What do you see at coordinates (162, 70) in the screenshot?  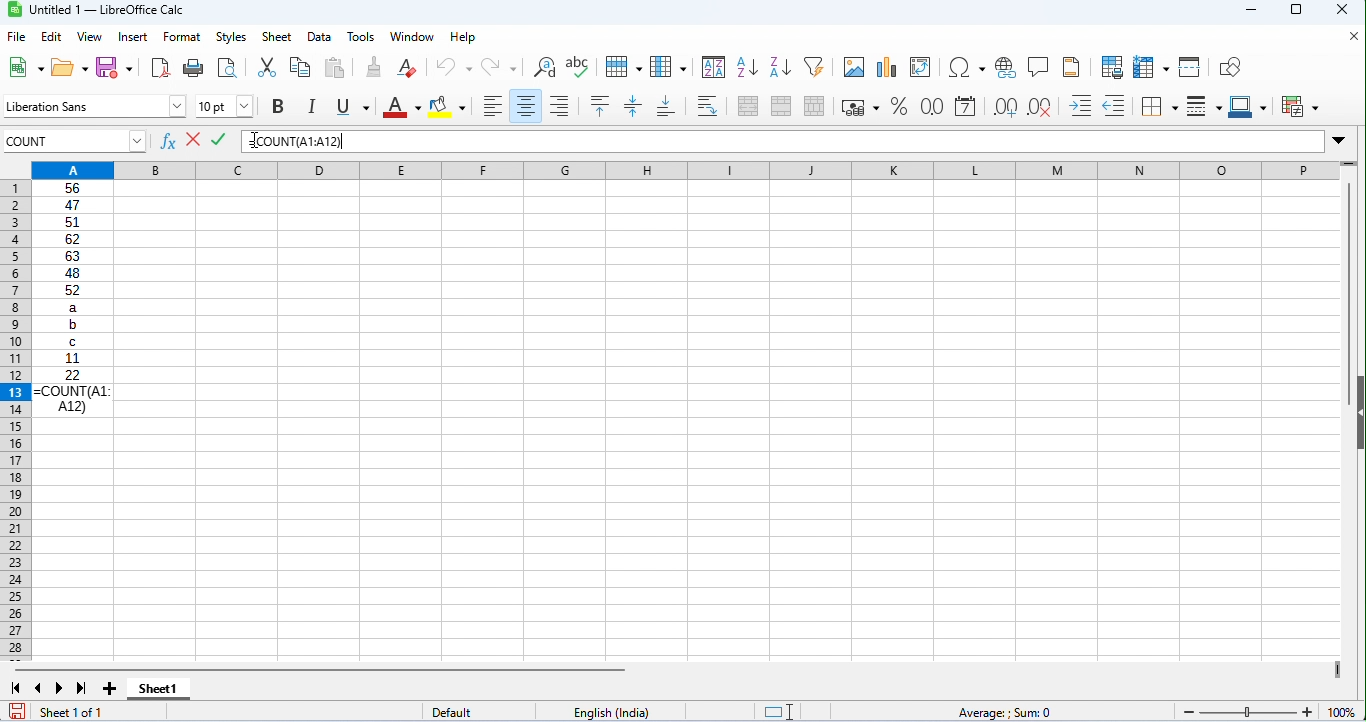 I see `export as pdf` at bounding box center [162, 70].